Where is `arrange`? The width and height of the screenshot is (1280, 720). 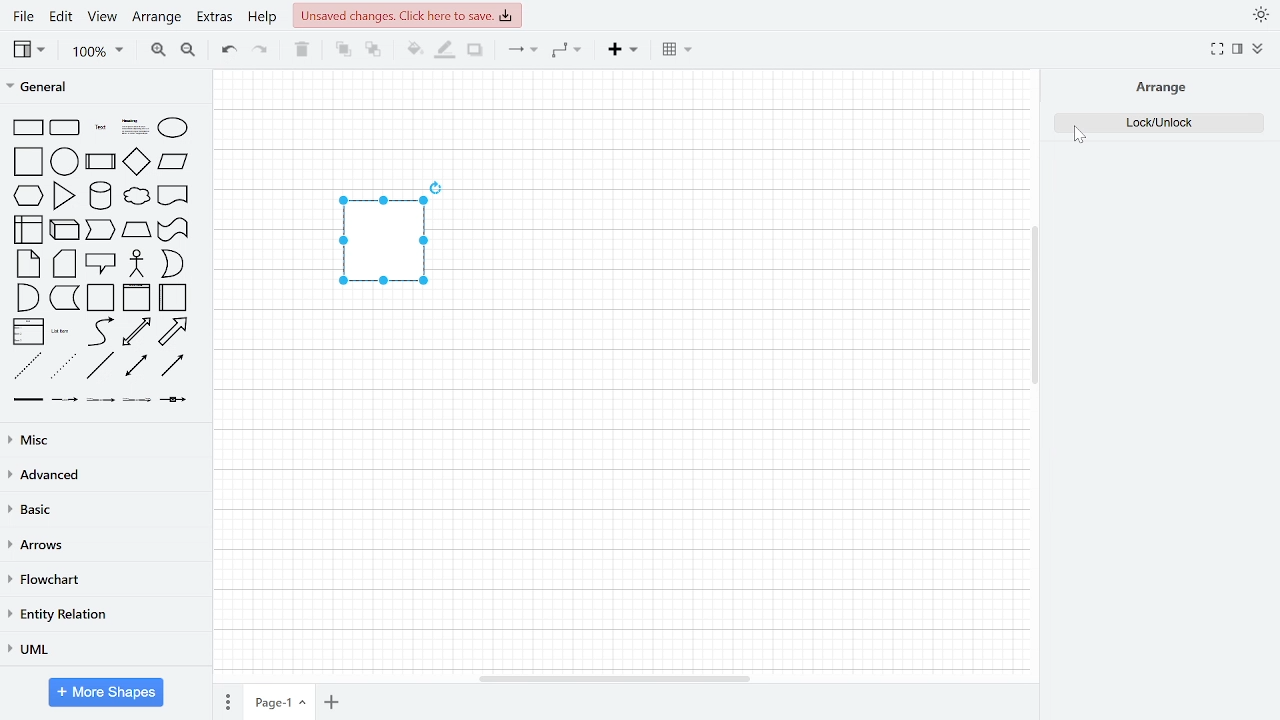
arrange is located at coordinates (1159, 87).